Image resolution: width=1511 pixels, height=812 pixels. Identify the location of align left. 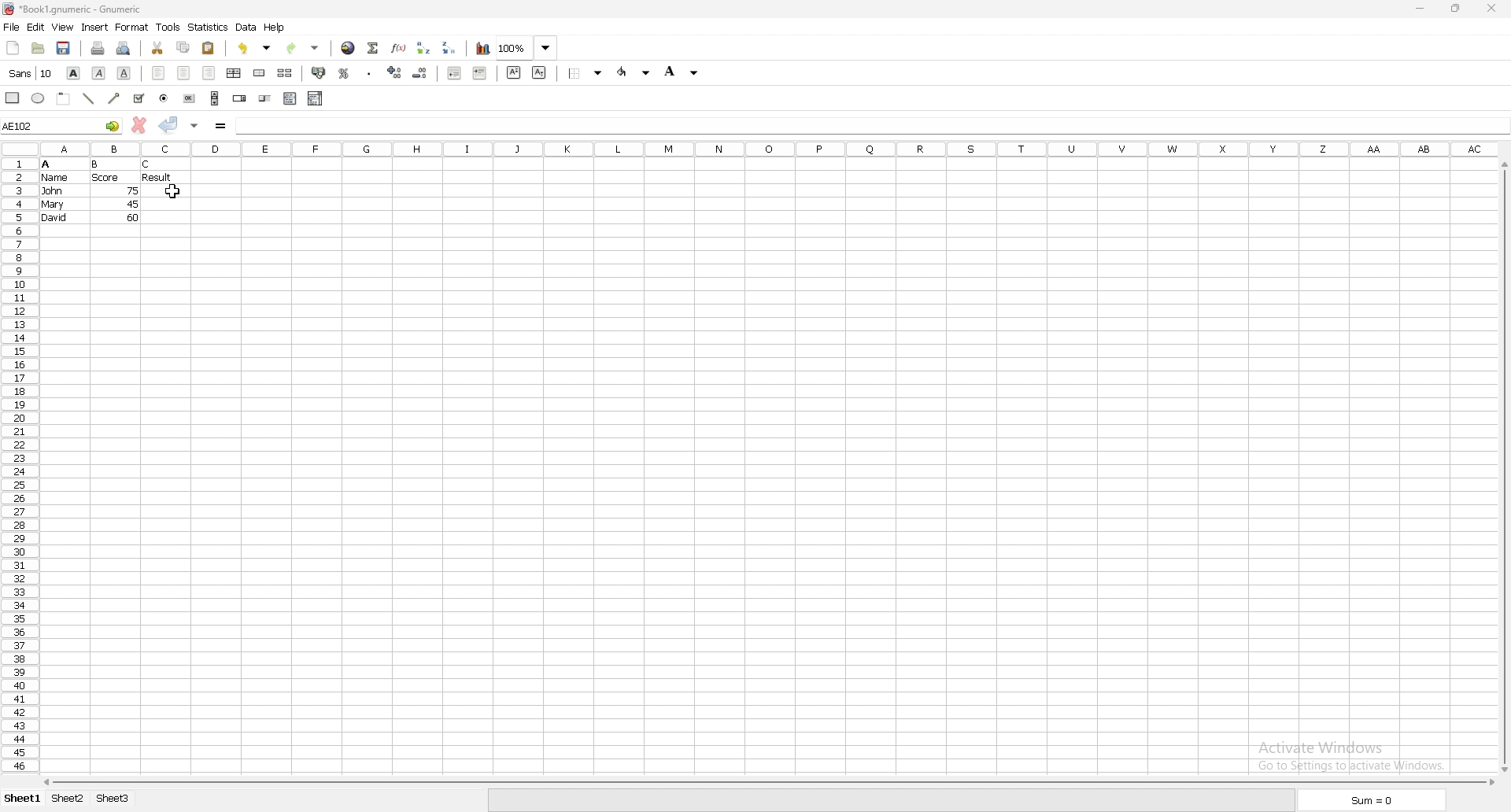
(158, 73).